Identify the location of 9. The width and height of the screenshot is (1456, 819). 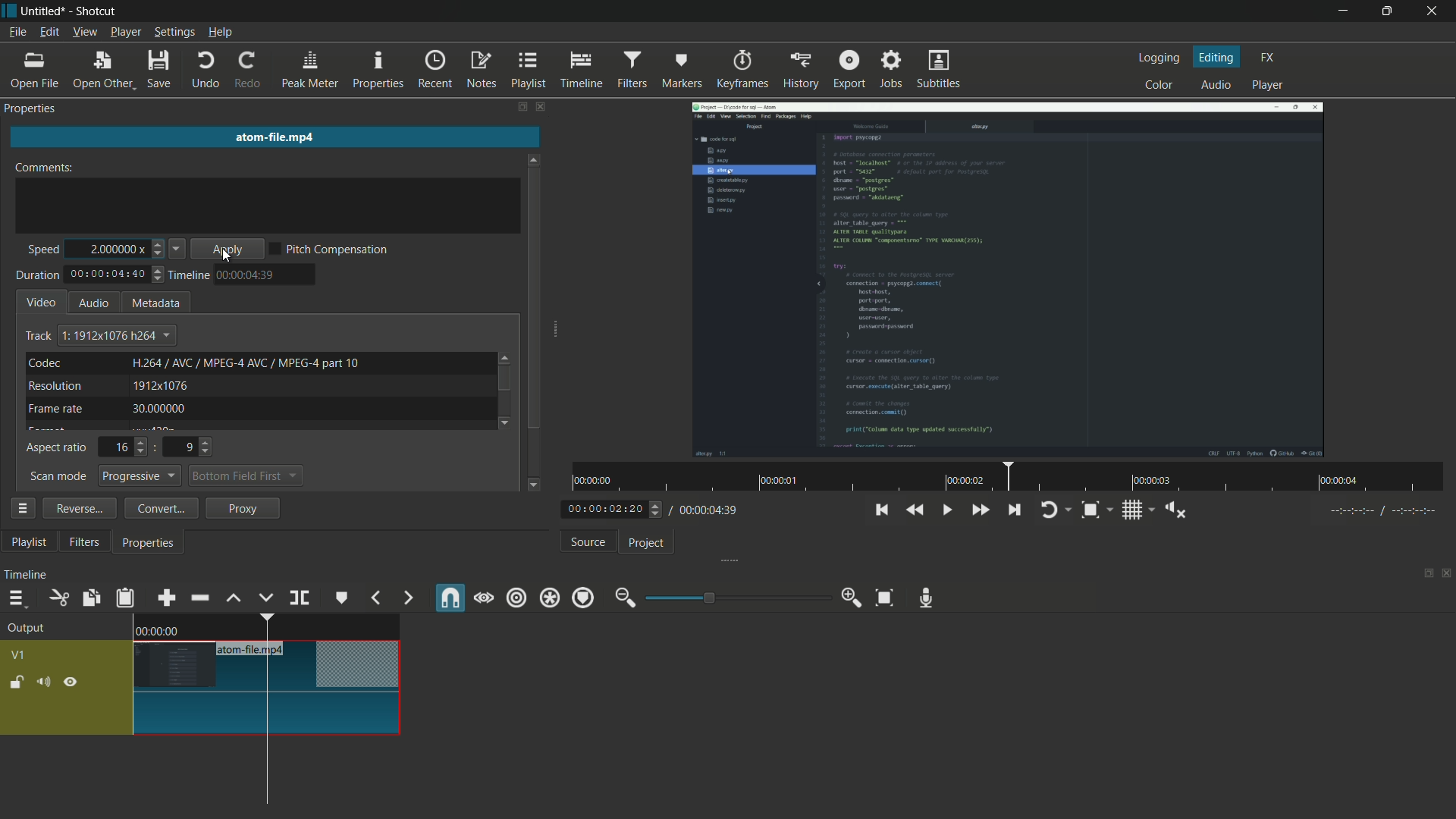
(187, 447).